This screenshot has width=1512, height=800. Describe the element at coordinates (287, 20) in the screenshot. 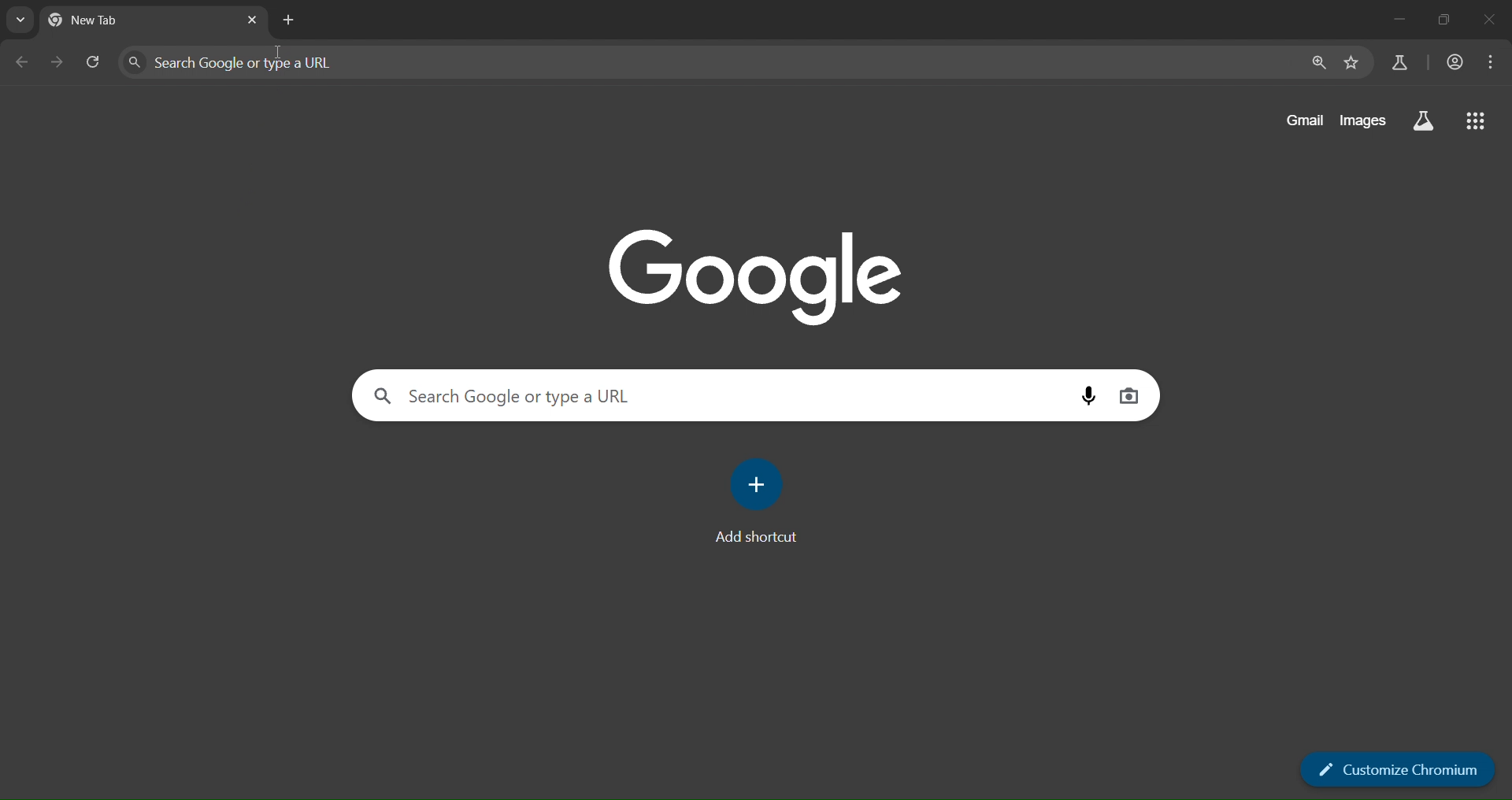

I see `new tab` at that location.